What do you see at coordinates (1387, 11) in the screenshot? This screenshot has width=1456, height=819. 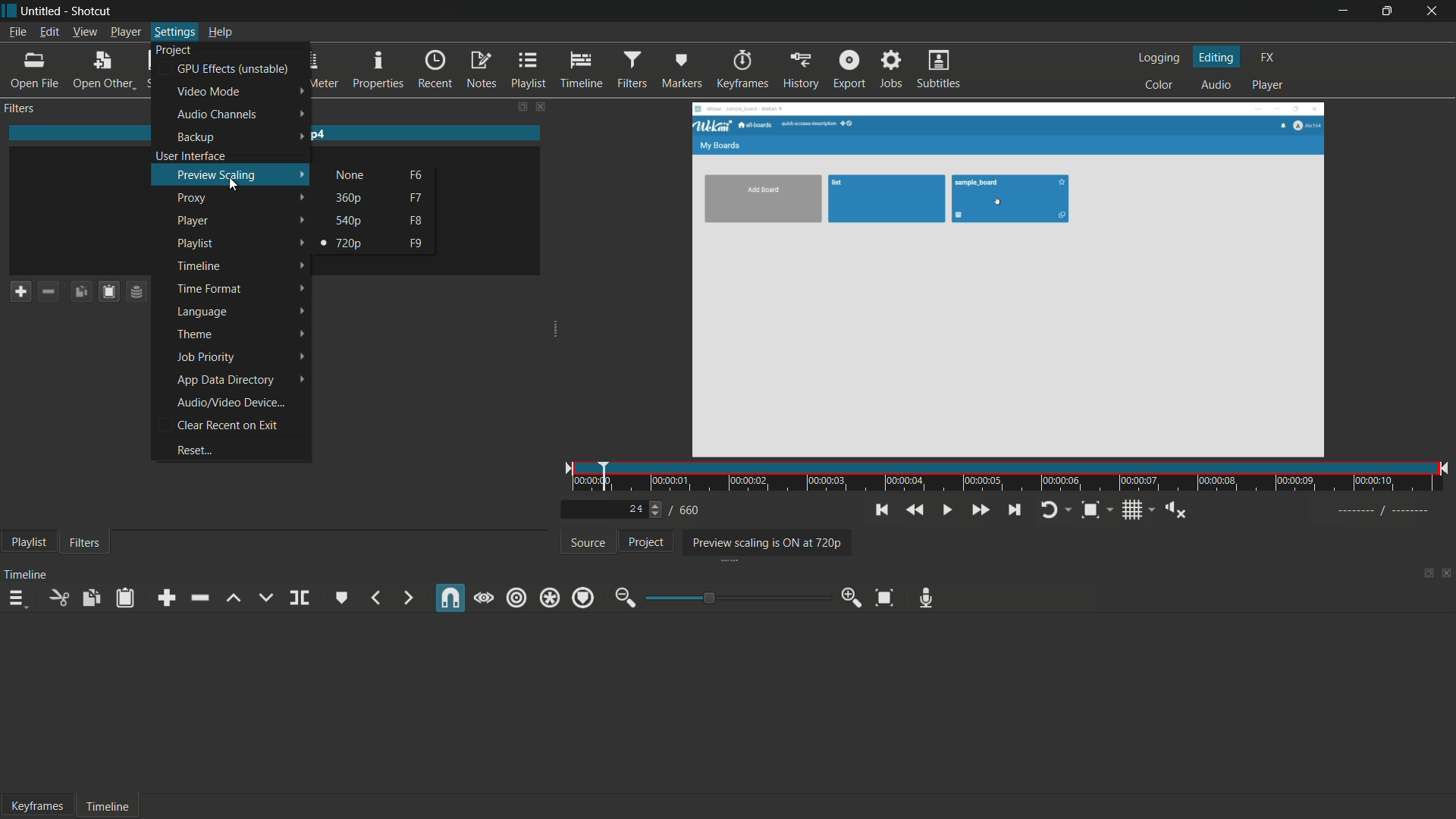 I see `maximize` at bounding box center [1387, 11].